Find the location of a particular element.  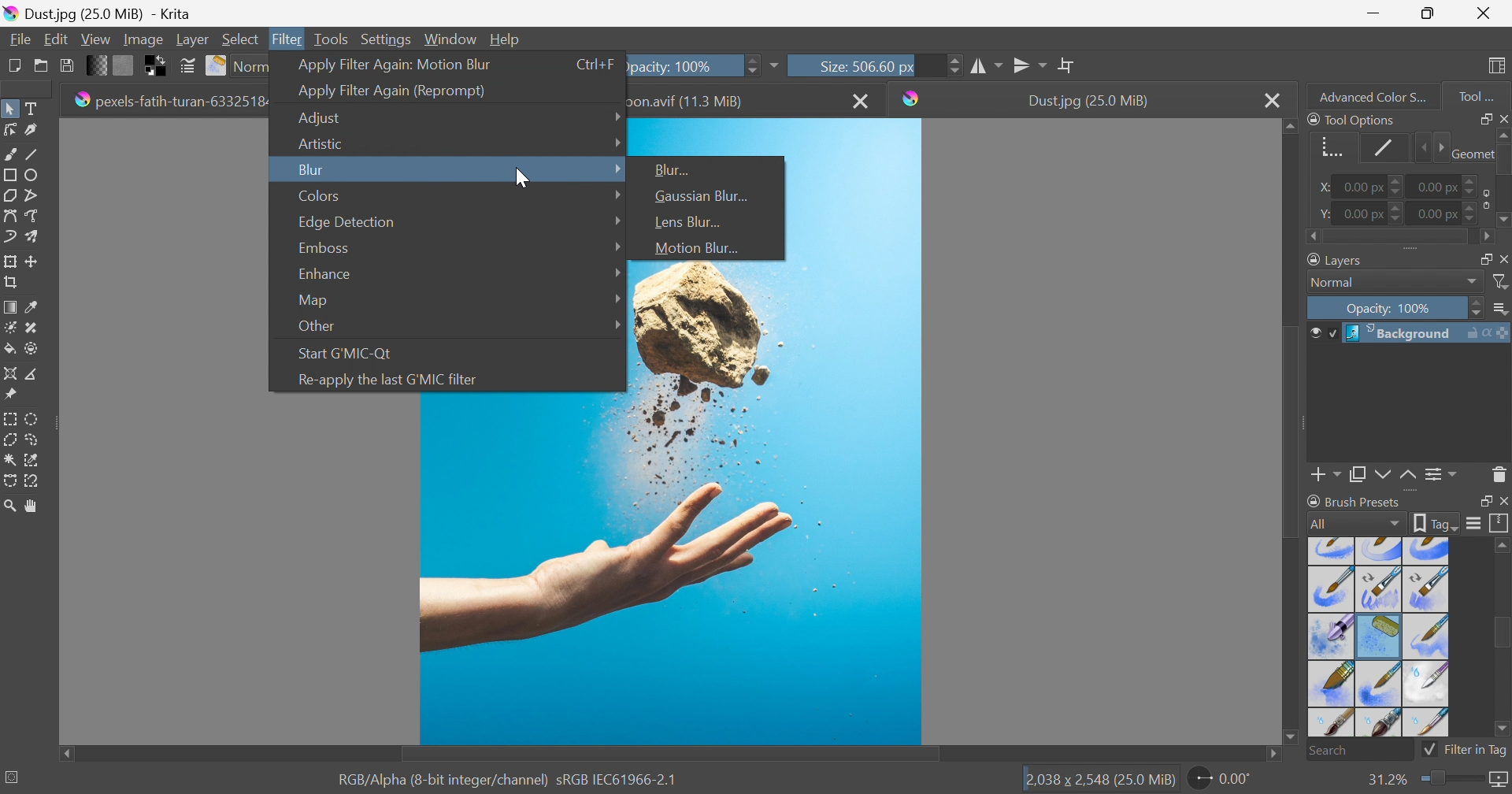

Storage resources is located at coordinates (1499, 524).